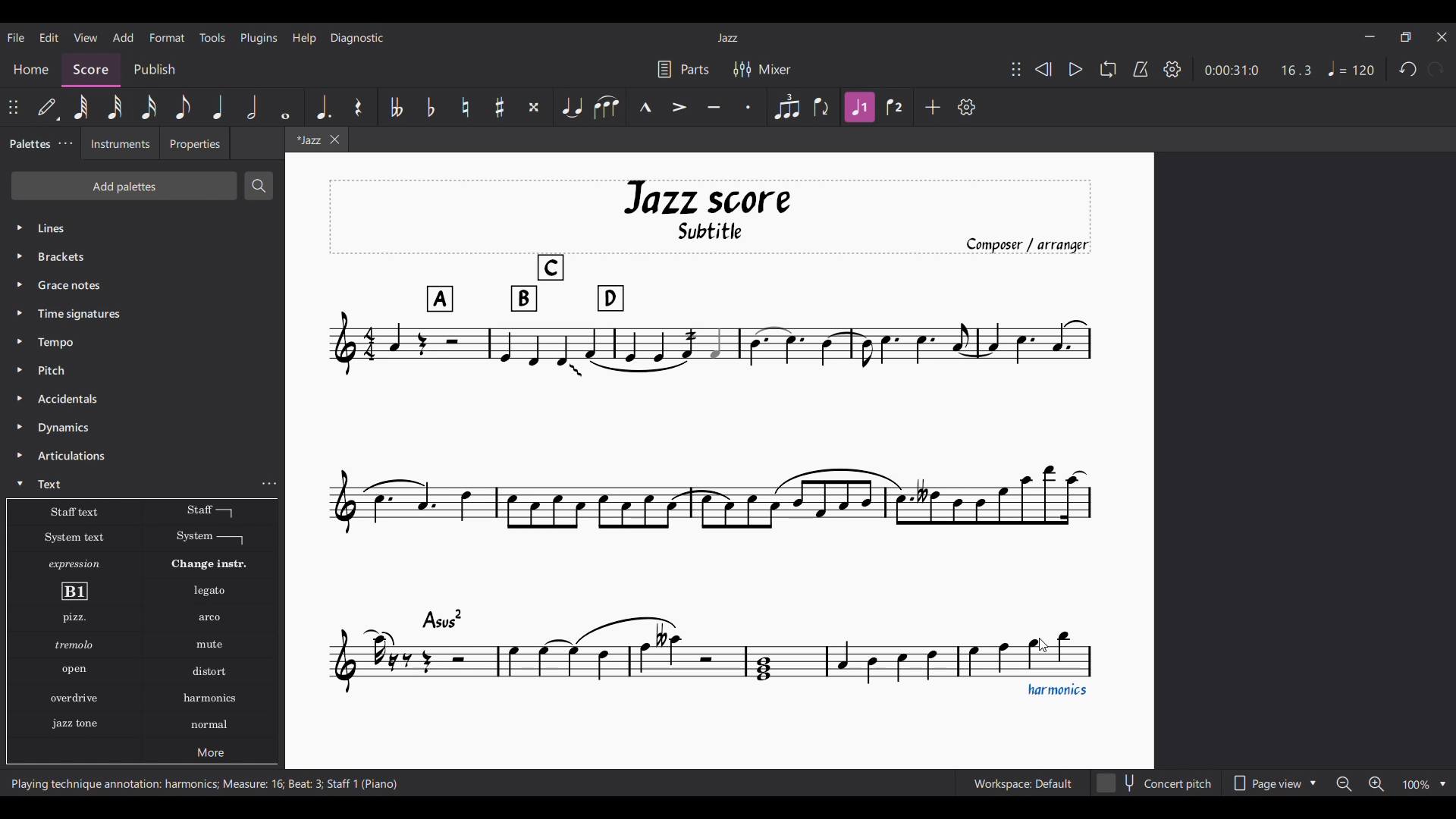 The width and height of the screenshot is (1456, 819). What do you see at coordinates (79, 721) in the screenshot?
I see `Jazz tone` at bounding box center [79, 721].